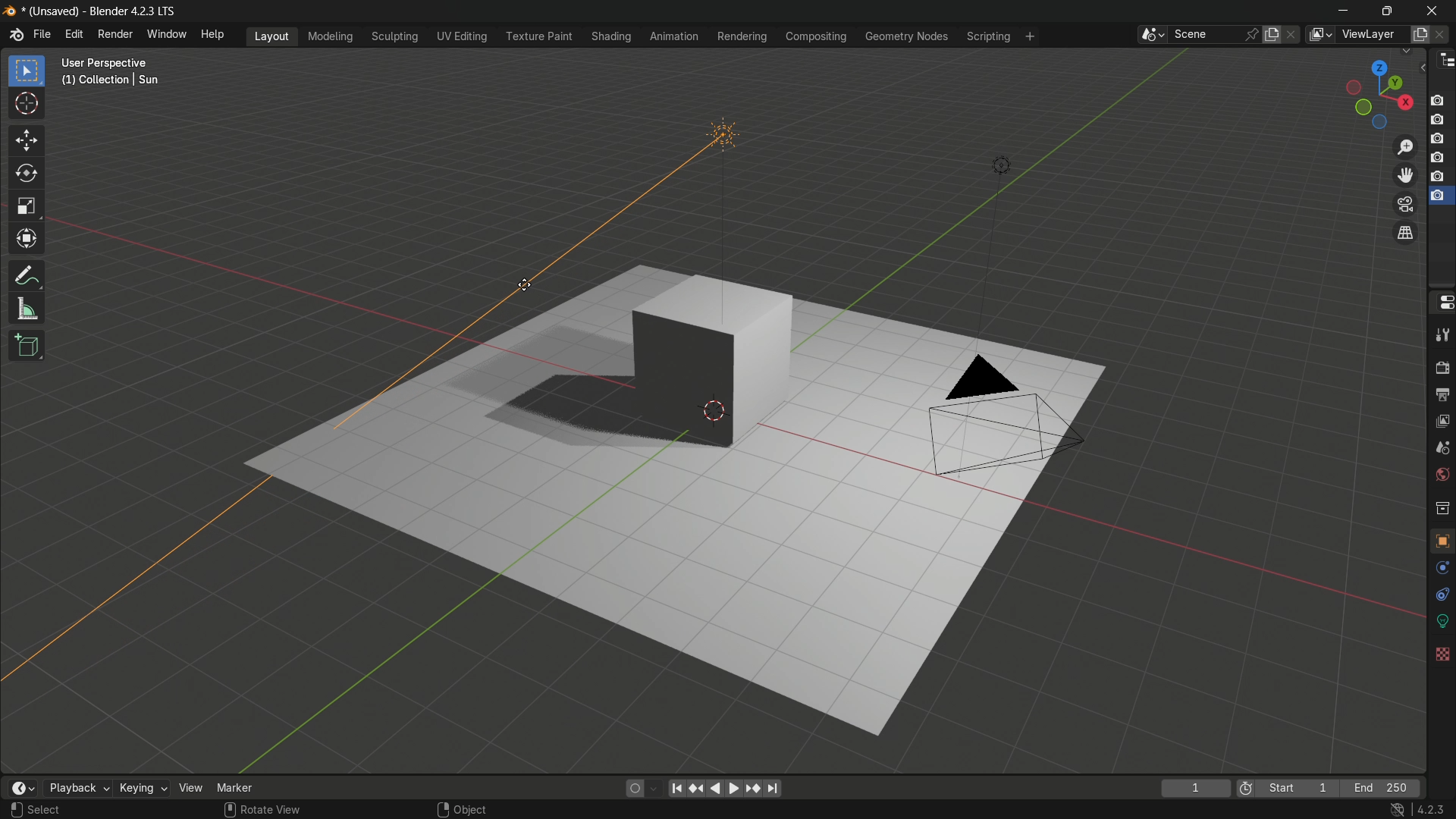 This screenshot has width=1456, height=819. I want to click on right click, so click(441, 809).